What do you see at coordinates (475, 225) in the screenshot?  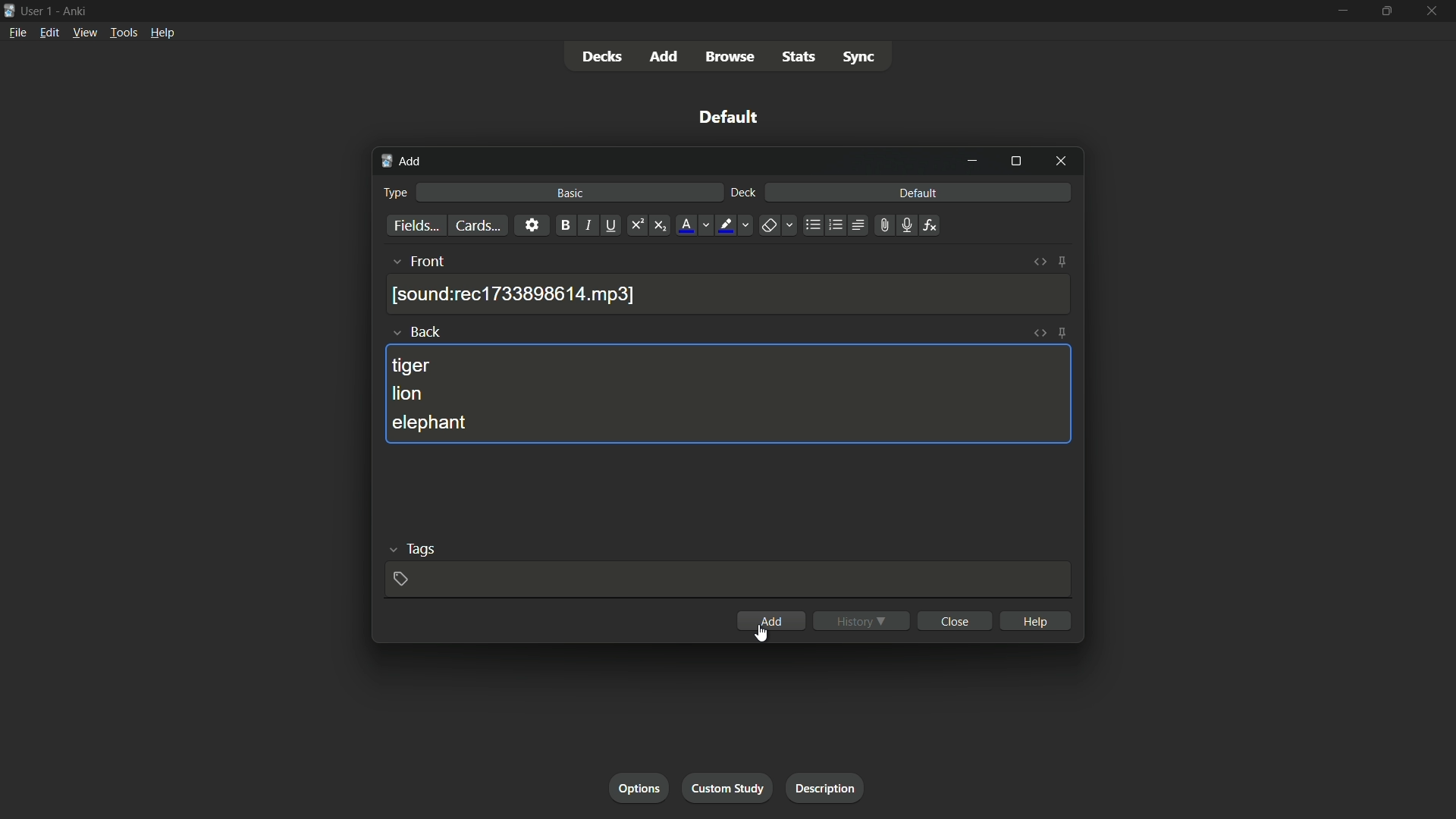 I see `cards` at bounding box center [475, 225].